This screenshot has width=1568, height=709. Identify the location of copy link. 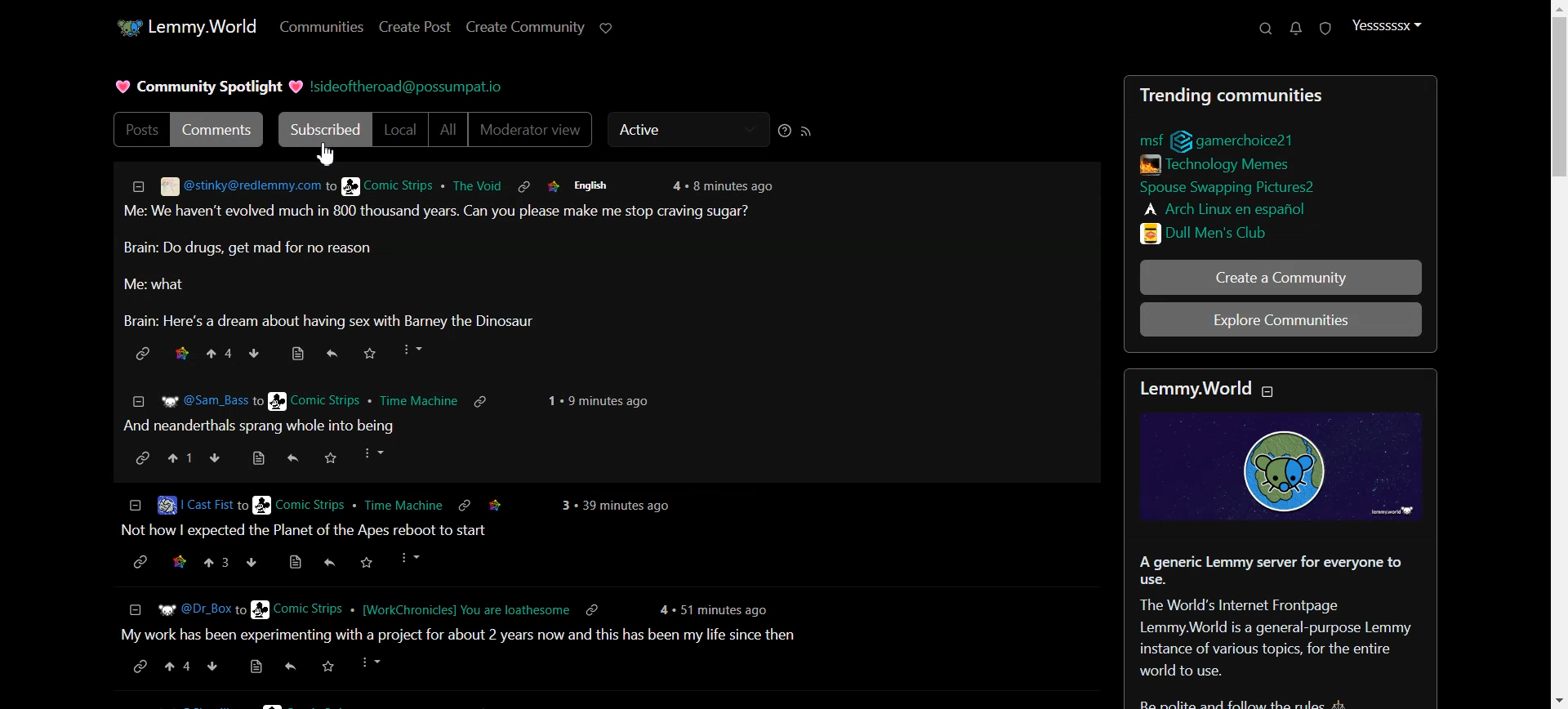
(139, 671).